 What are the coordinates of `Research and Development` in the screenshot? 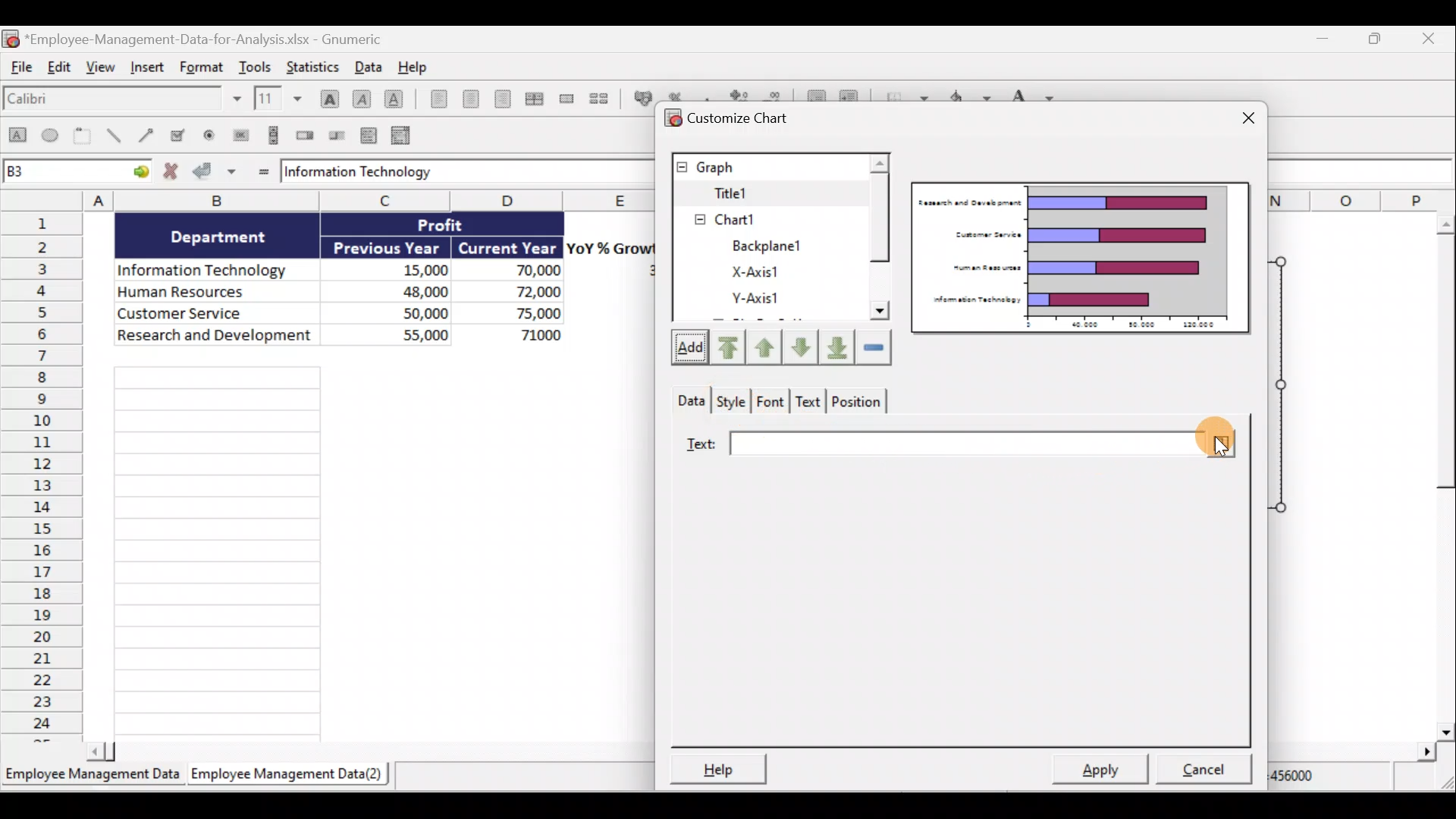 It's located at (215, 339).